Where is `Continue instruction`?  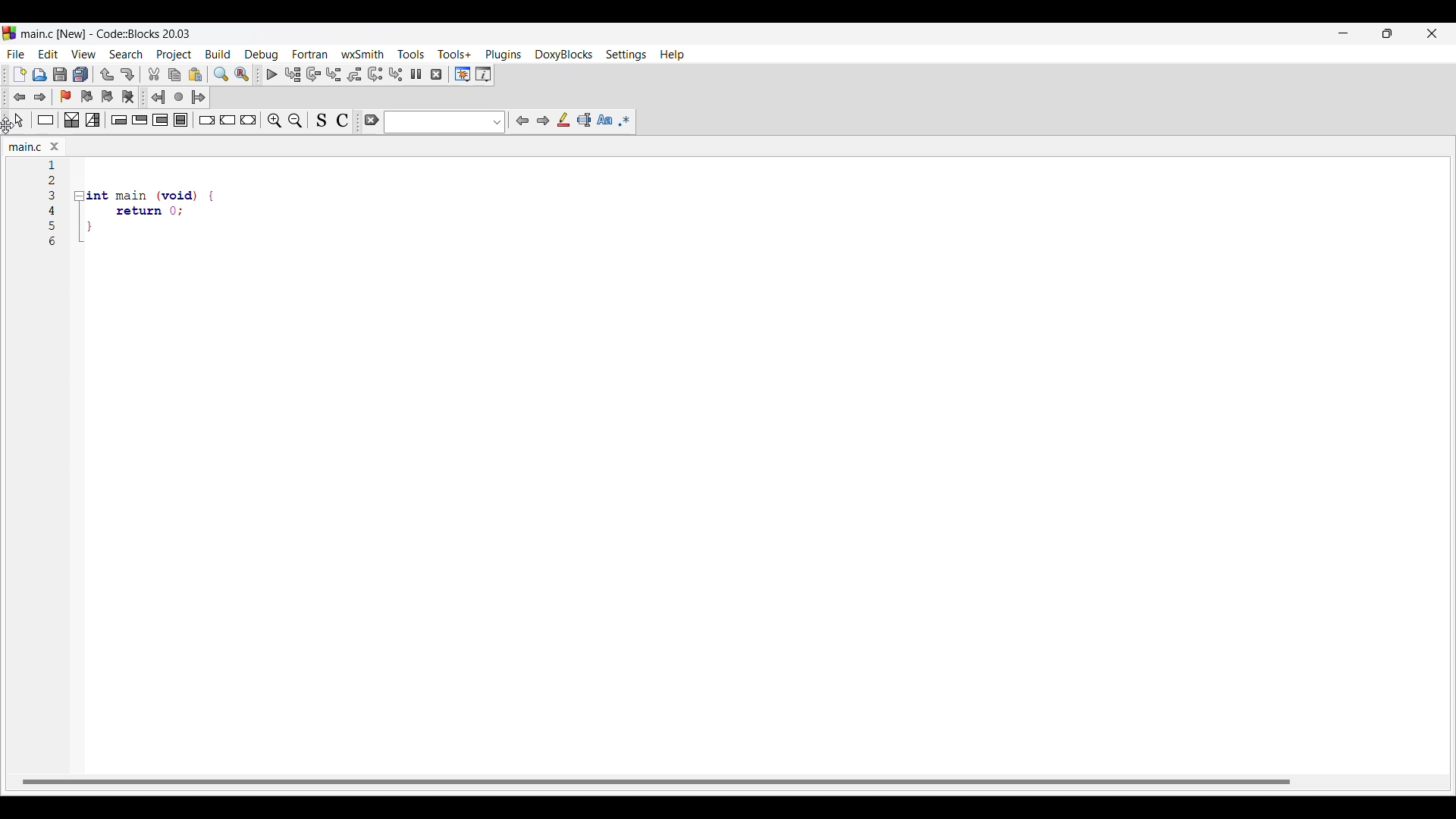
Continue instruction is located at coordinates (228, 120).